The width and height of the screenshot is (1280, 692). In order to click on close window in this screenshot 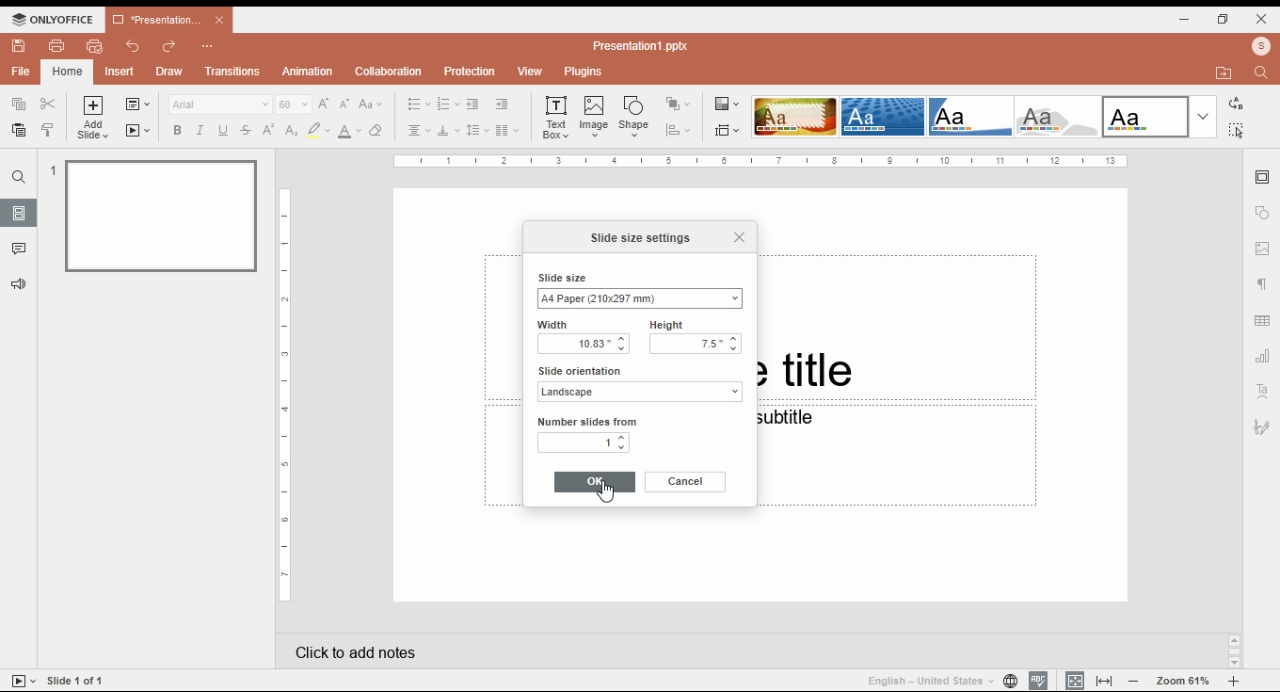, I will do `click(734, 238)`.